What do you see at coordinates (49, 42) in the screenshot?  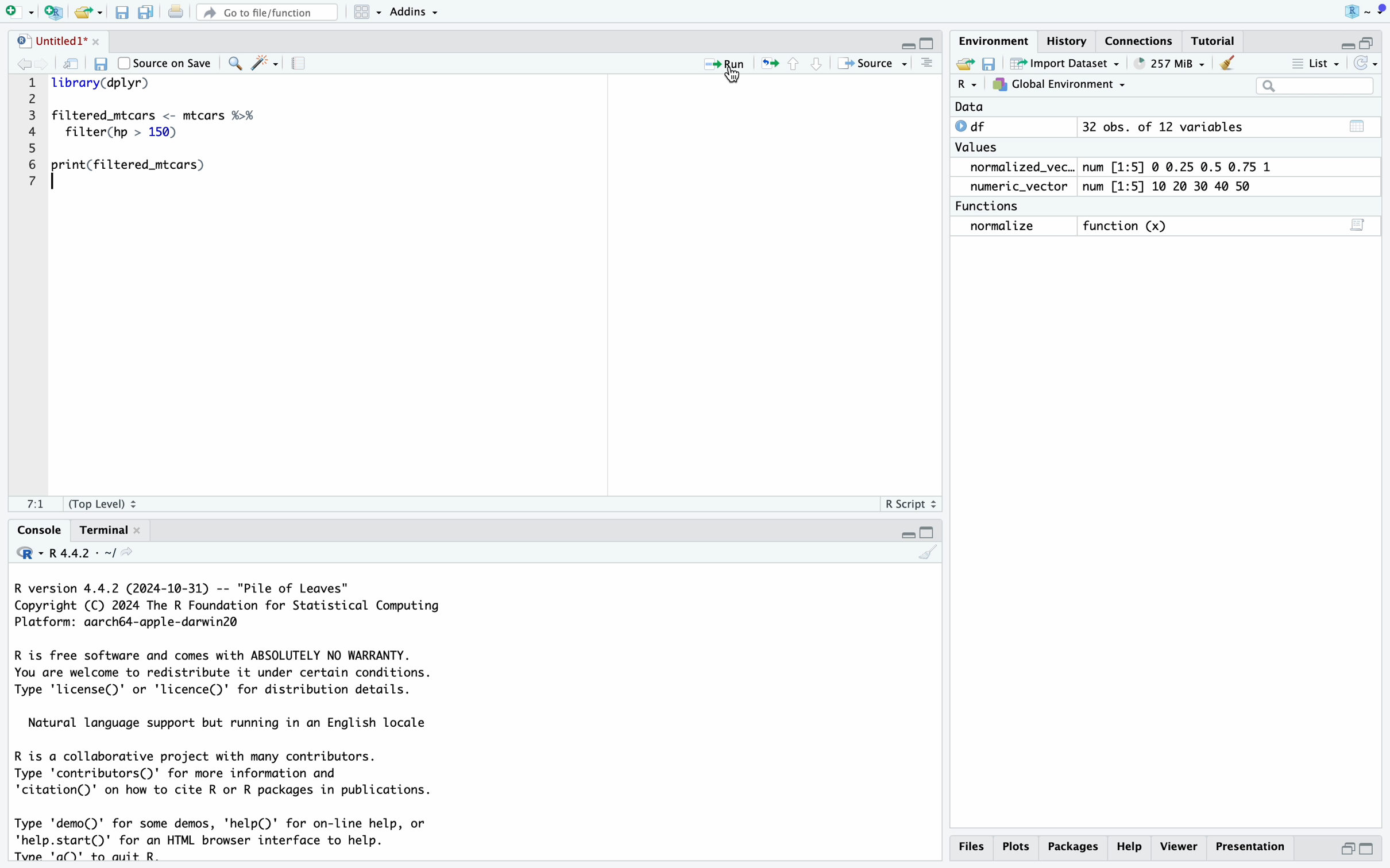 I see `Untitled1` at bounding box center [49, 42].